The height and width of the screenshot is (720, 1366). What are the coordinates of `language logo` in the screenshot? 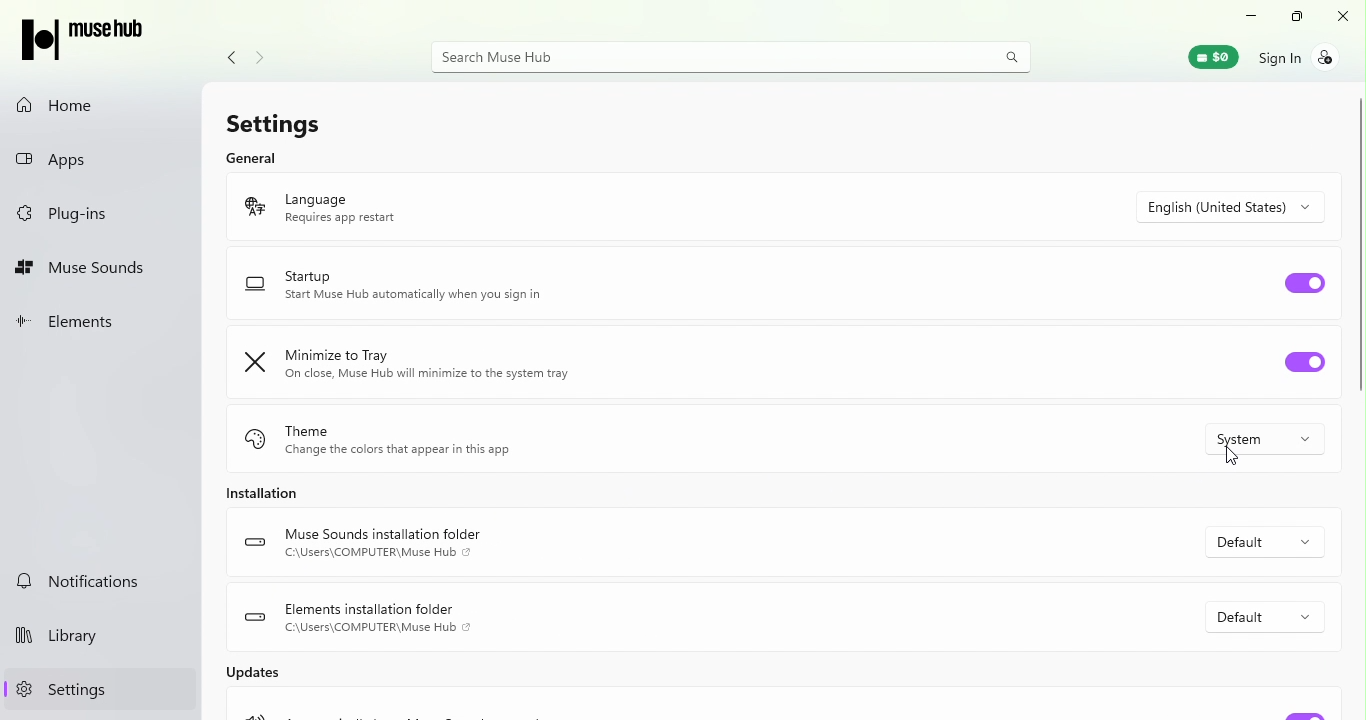 It's located at (251, 209).